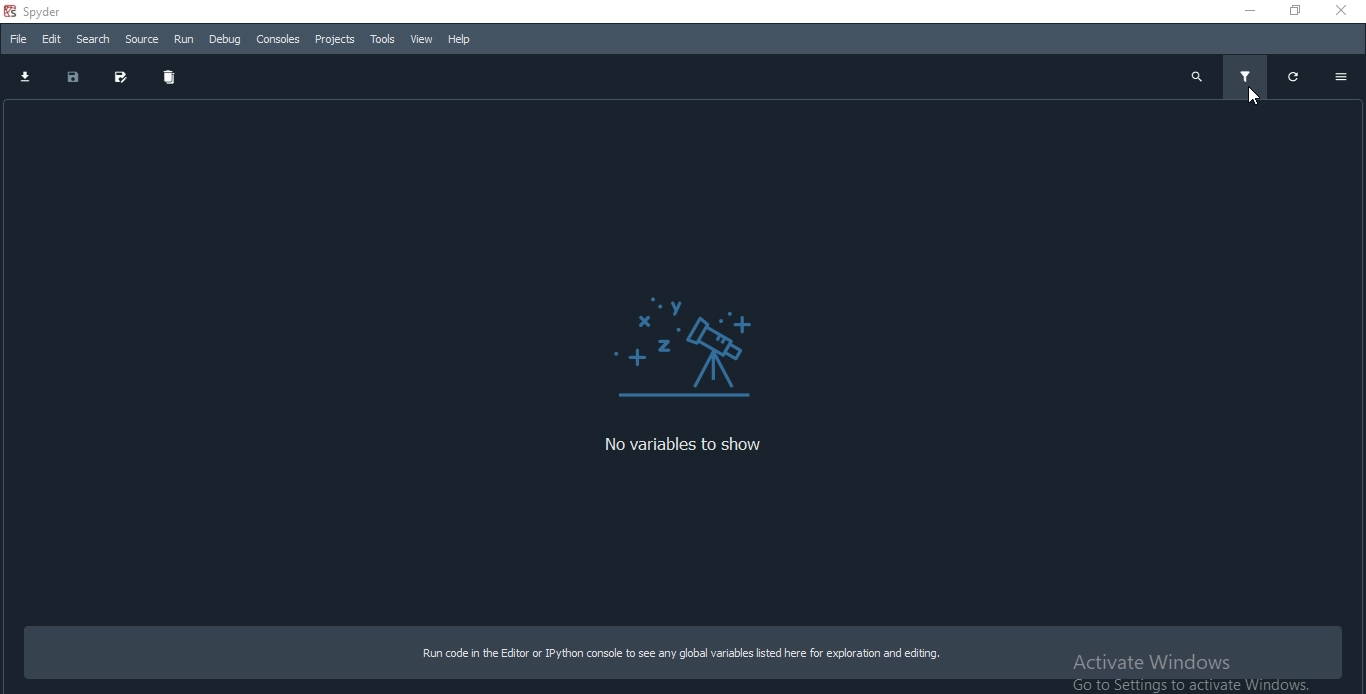  What do you see at coordinates (142, 39) in the screenshot?
I see `Source` at bounding box center [142, 39].